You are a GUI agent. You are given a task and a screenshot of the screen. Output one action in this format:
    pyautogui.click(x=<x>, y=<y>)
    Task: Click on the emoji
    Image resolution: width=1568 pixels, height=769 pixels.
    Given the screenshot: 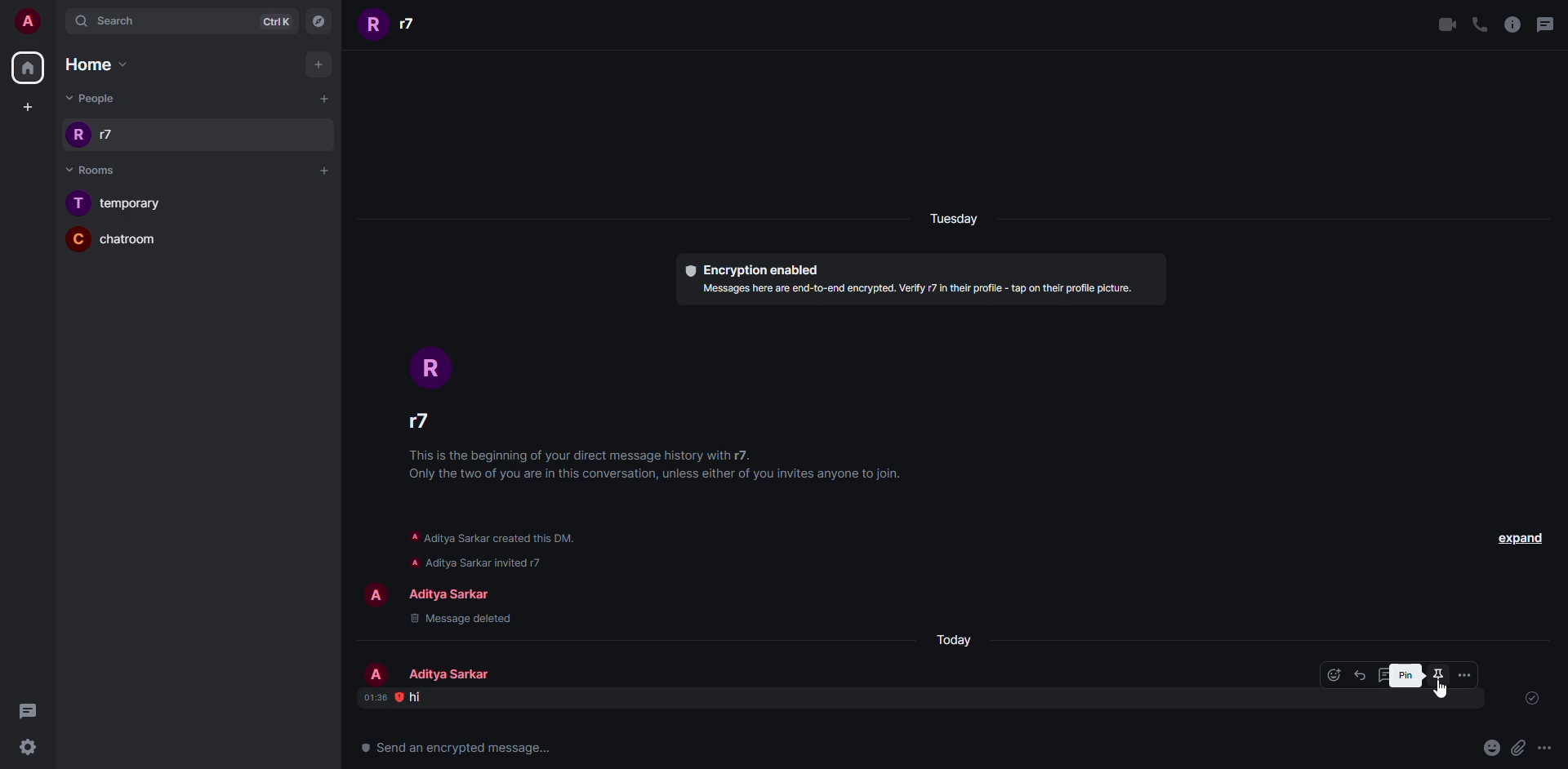 What is the action you would take?
    pyautogui.click(x=1490, y=748)
    